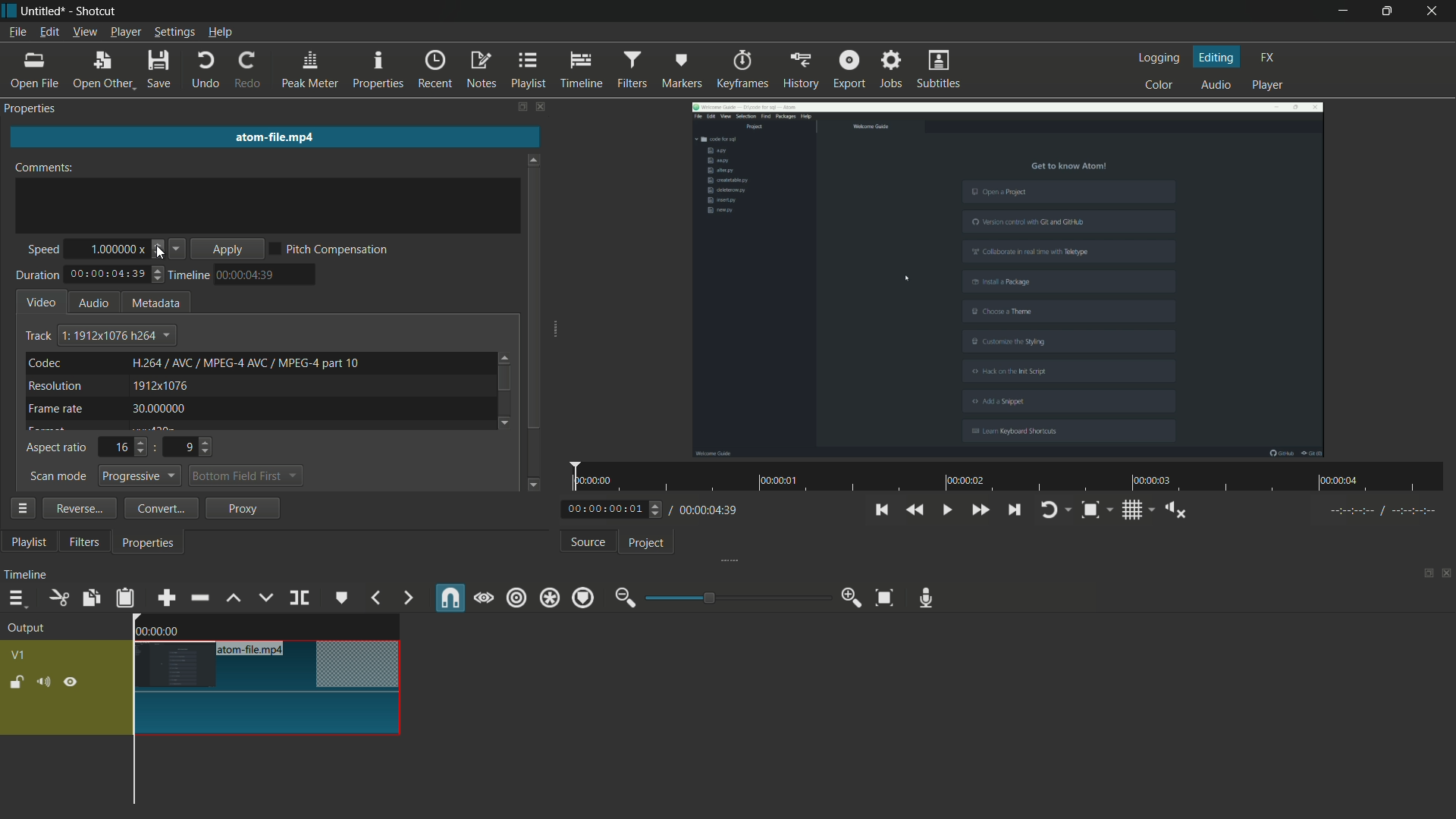 The height and width of the screenshot is (819, 1456). Describe the element at coordinates (1090, 510) in the screenshot. I see `toggle zoom` at that location.